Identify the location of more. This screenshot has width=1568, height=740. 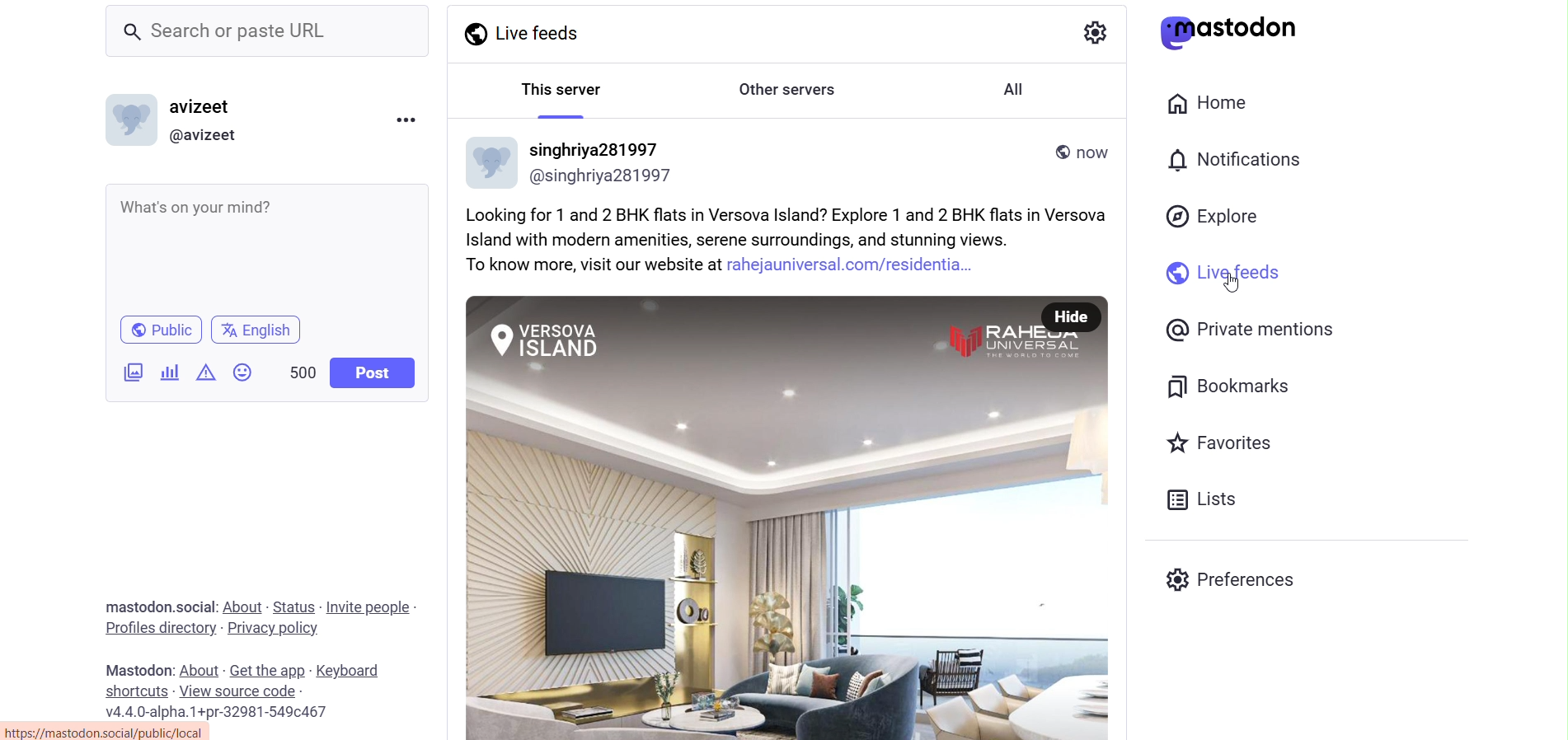
(406, 120).